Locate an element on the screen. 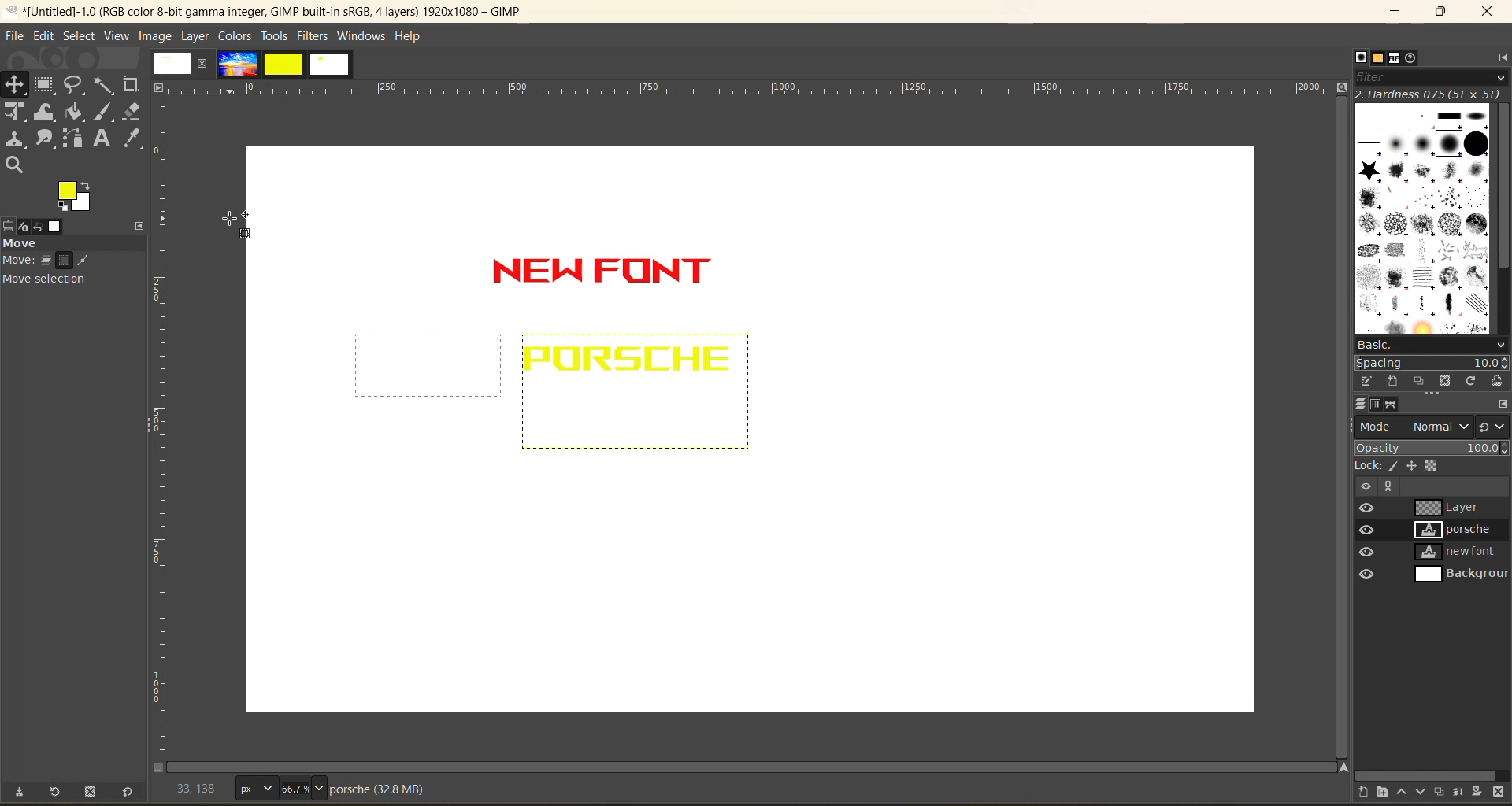  windows is located at coordinates (363, 37).